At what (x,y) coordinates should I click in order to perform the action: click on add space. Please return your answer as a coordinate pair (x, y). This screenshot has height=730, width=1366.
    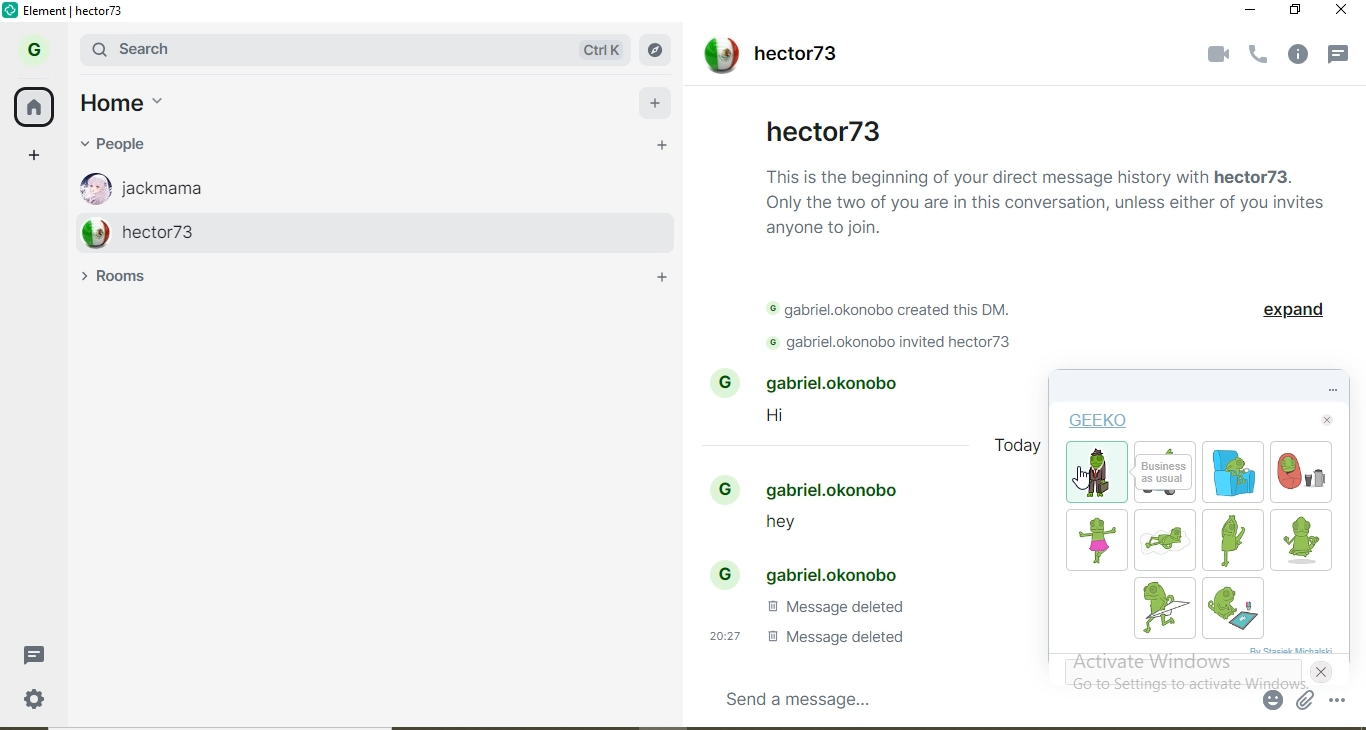
    Looking at the image, I should click on (35, 153).